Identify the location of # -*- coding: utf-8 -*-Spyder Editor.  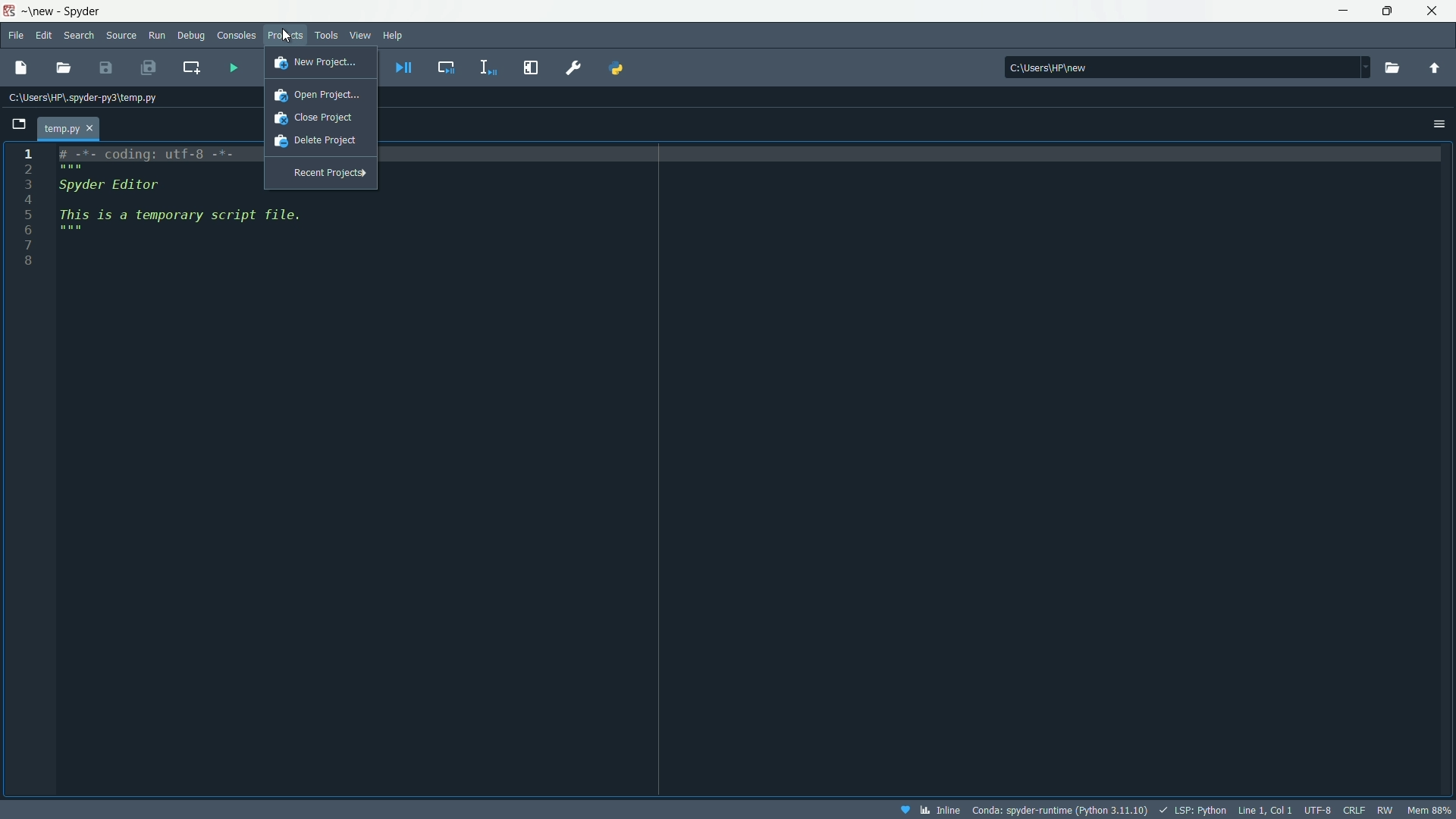
(145, 171).